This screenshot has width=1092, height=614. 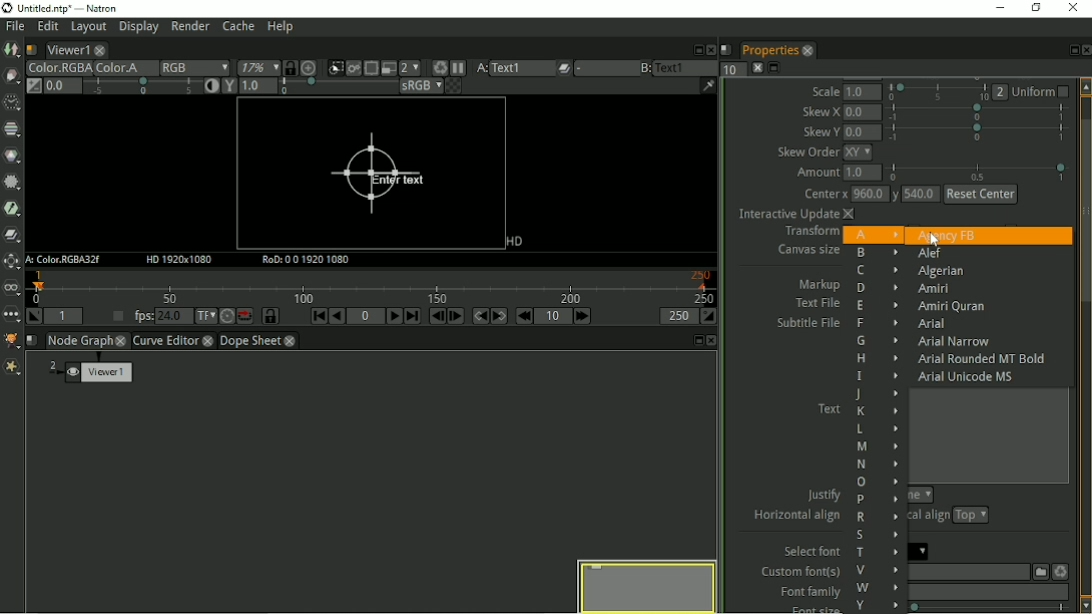 What do you see at coordinates (1037, 9) in the screenshot?
I see `Restore down` at bounding box center [1037, 9].